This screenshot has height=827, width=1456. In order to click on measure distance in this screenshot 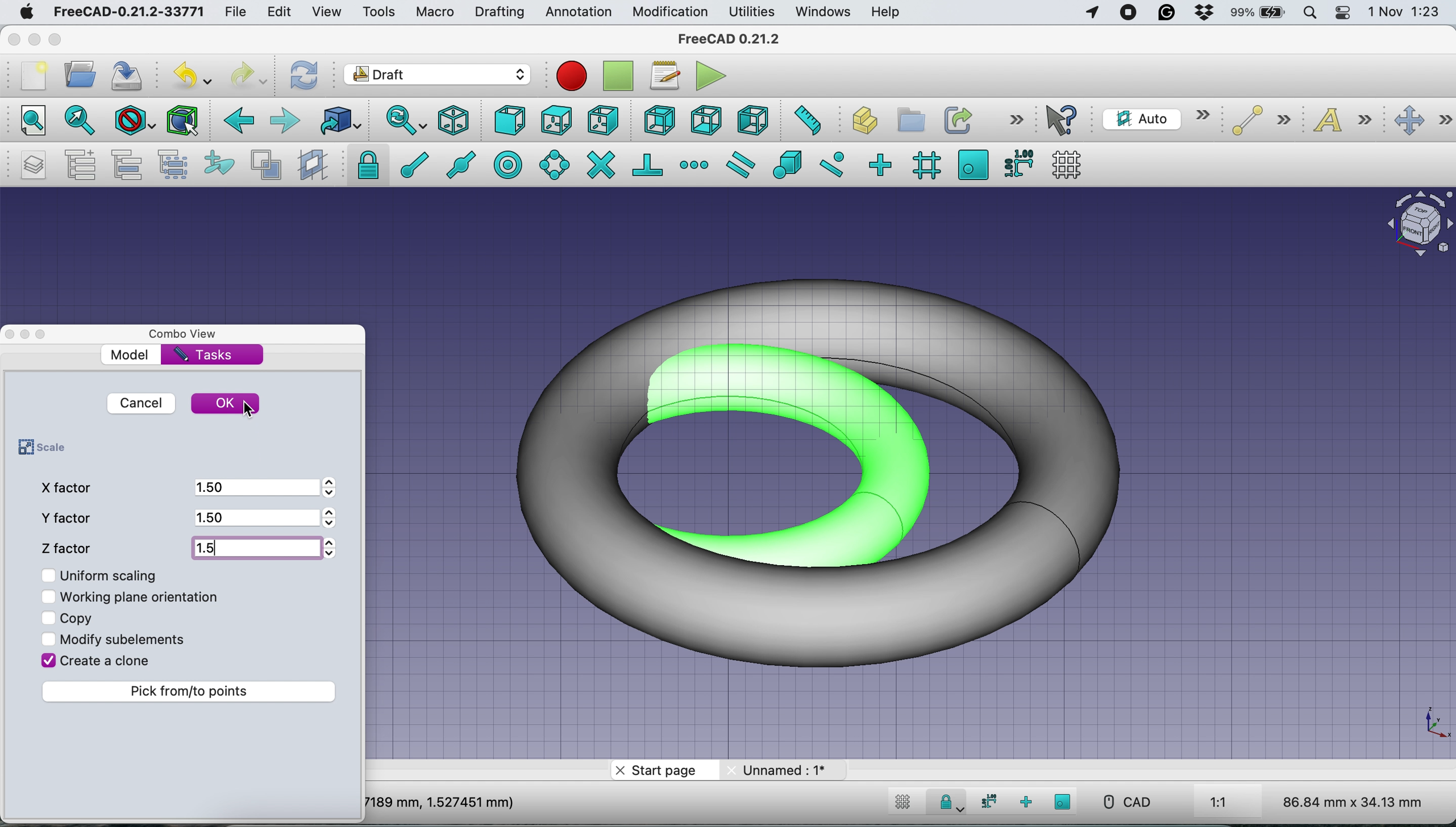, I will do `click(806, 122)`.